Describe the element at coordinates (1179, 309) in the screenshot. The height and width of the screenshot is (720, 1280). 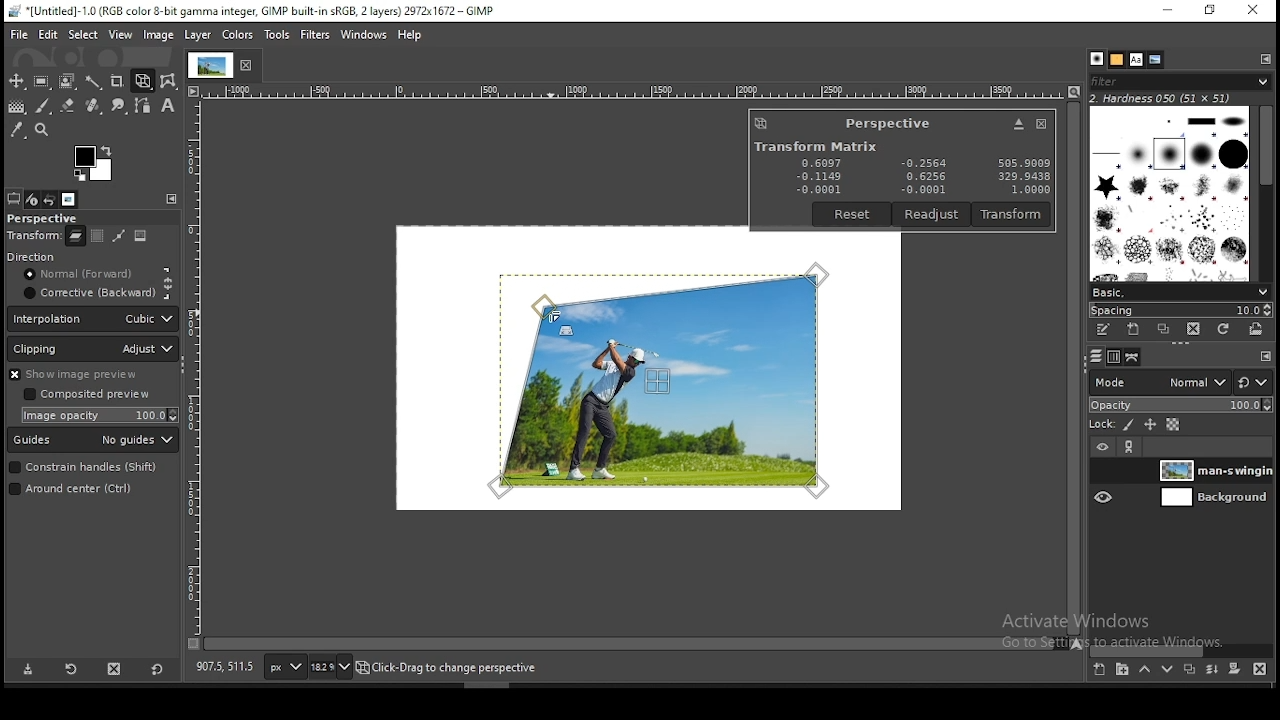
I see `spacing` at that location.